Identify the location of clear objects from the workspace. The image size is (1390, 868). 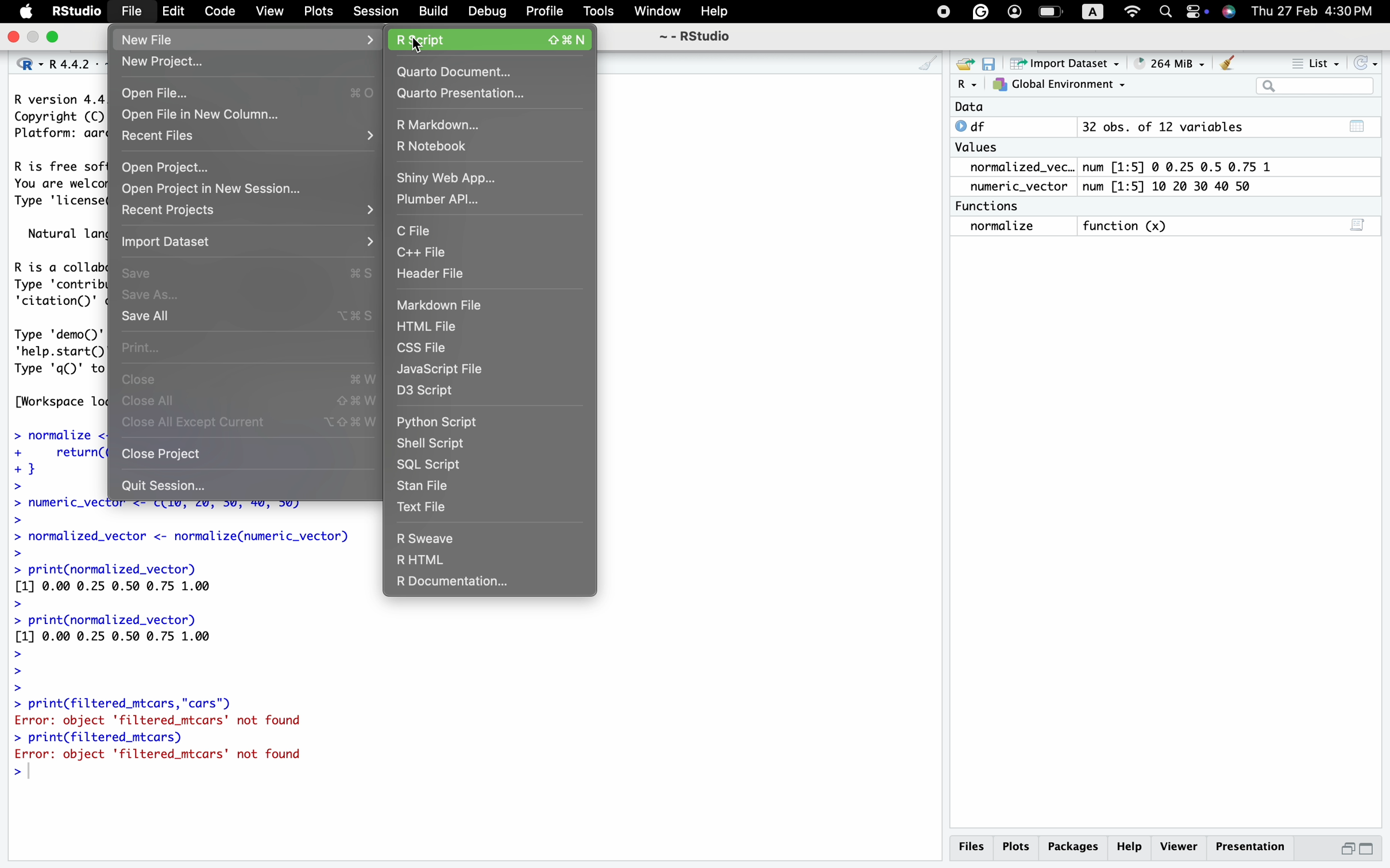
(1228, 63).